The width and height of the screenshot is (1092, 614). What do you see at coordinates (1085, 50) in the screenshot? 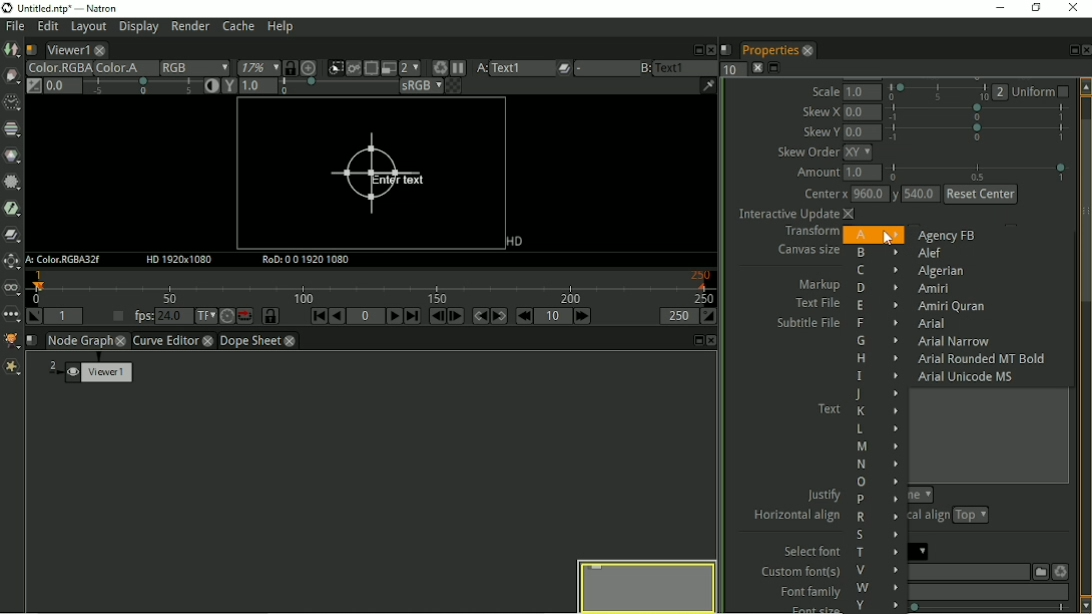
I see `Close` at bounding box center [1085, 50].